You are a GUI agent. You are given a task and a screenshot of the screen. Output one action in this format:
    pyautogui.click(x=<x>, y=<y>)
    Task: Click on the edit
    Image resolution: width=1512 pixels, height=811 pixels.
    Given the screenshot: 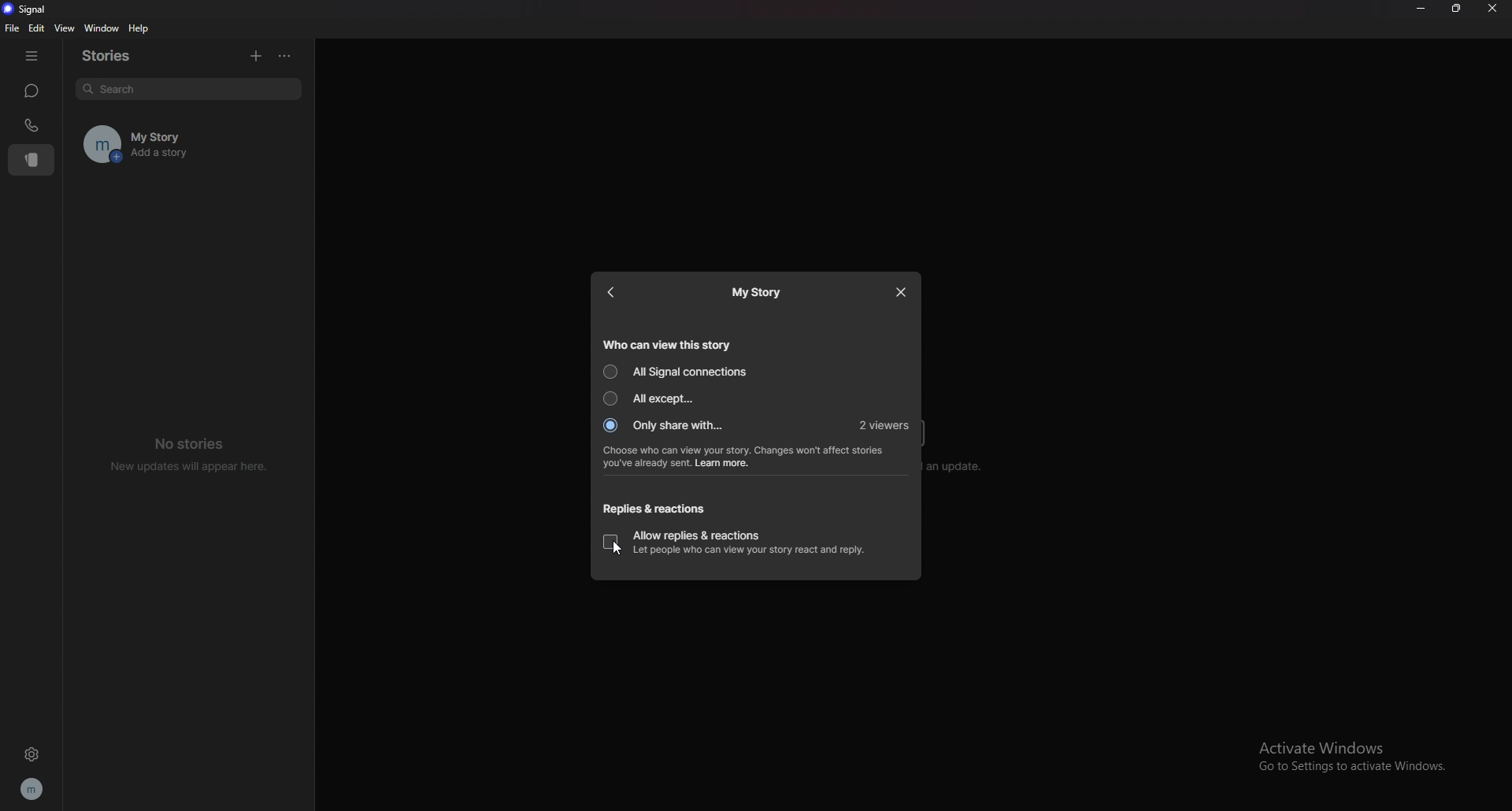 What is the action you would take?
    pyautogui.click(x=38, y=28)
    